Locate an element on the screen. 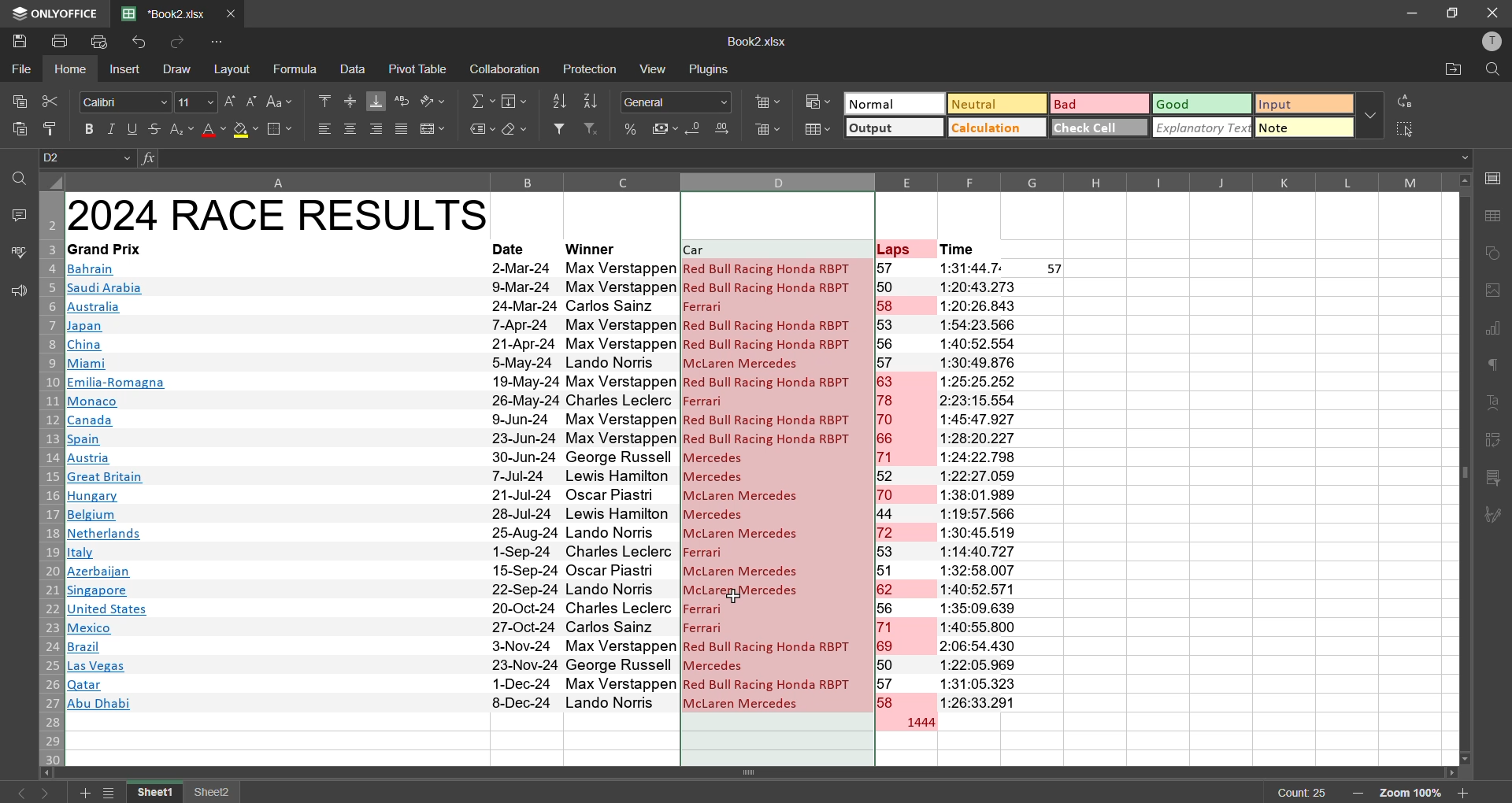  clear is located at coordinates (515, 130).